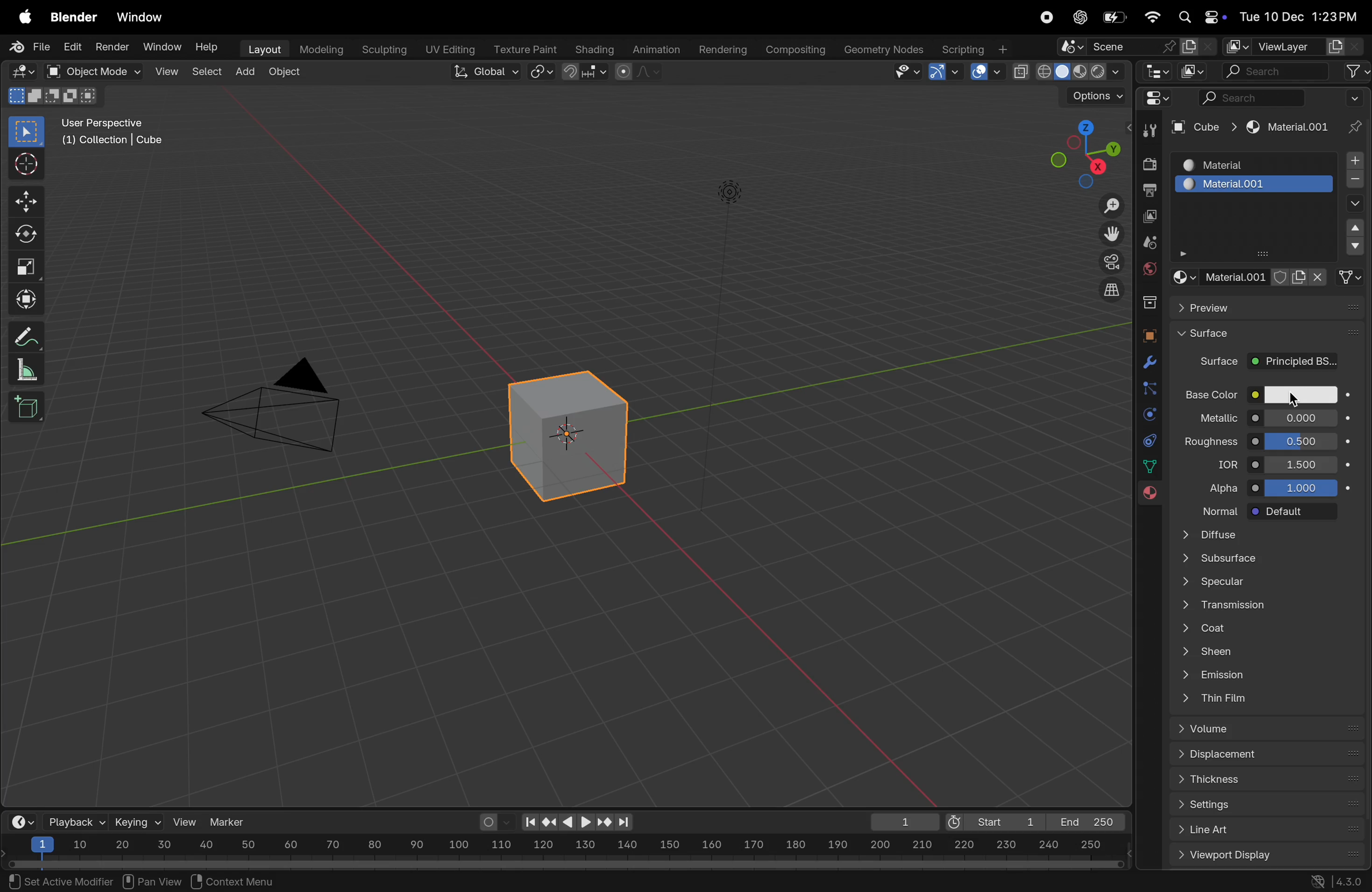 Image resolution: width=1372 pixels, height=892 pixels. I want to click on editor type, so click(18, 70).